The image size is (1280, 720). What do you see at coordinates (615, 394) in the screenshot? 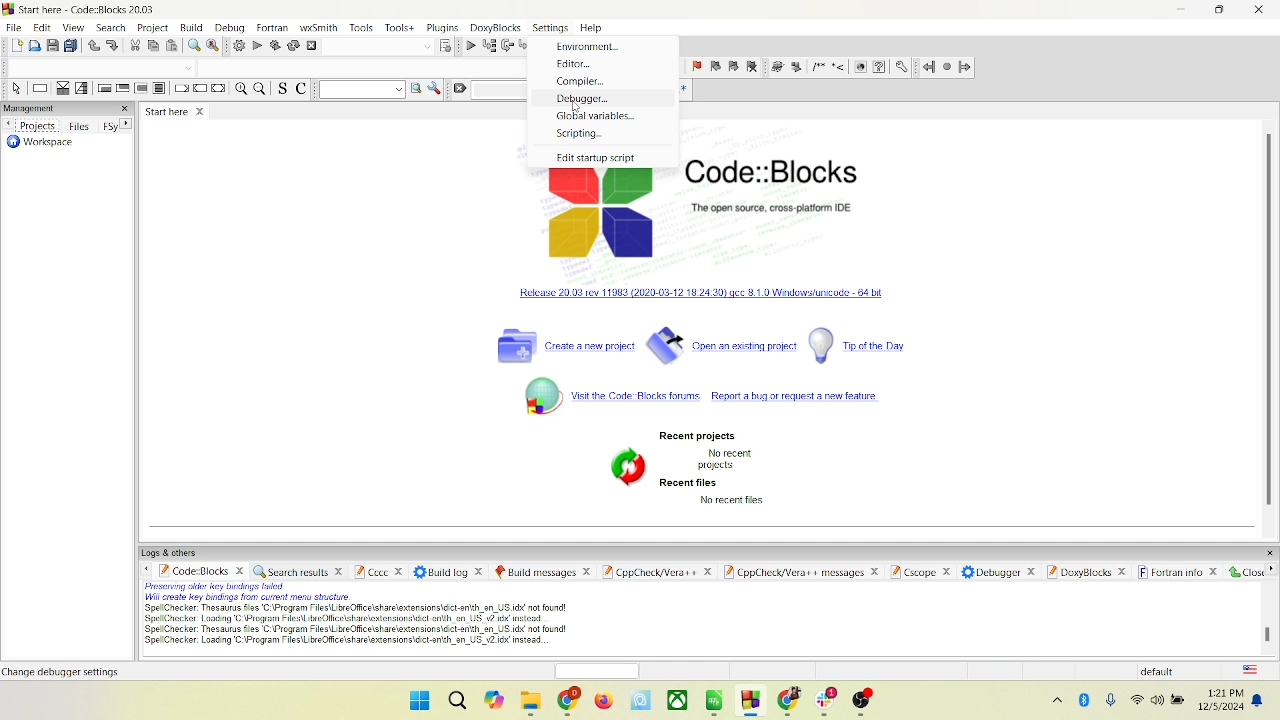
I see `code block forum` at bounding box center [615, 394].